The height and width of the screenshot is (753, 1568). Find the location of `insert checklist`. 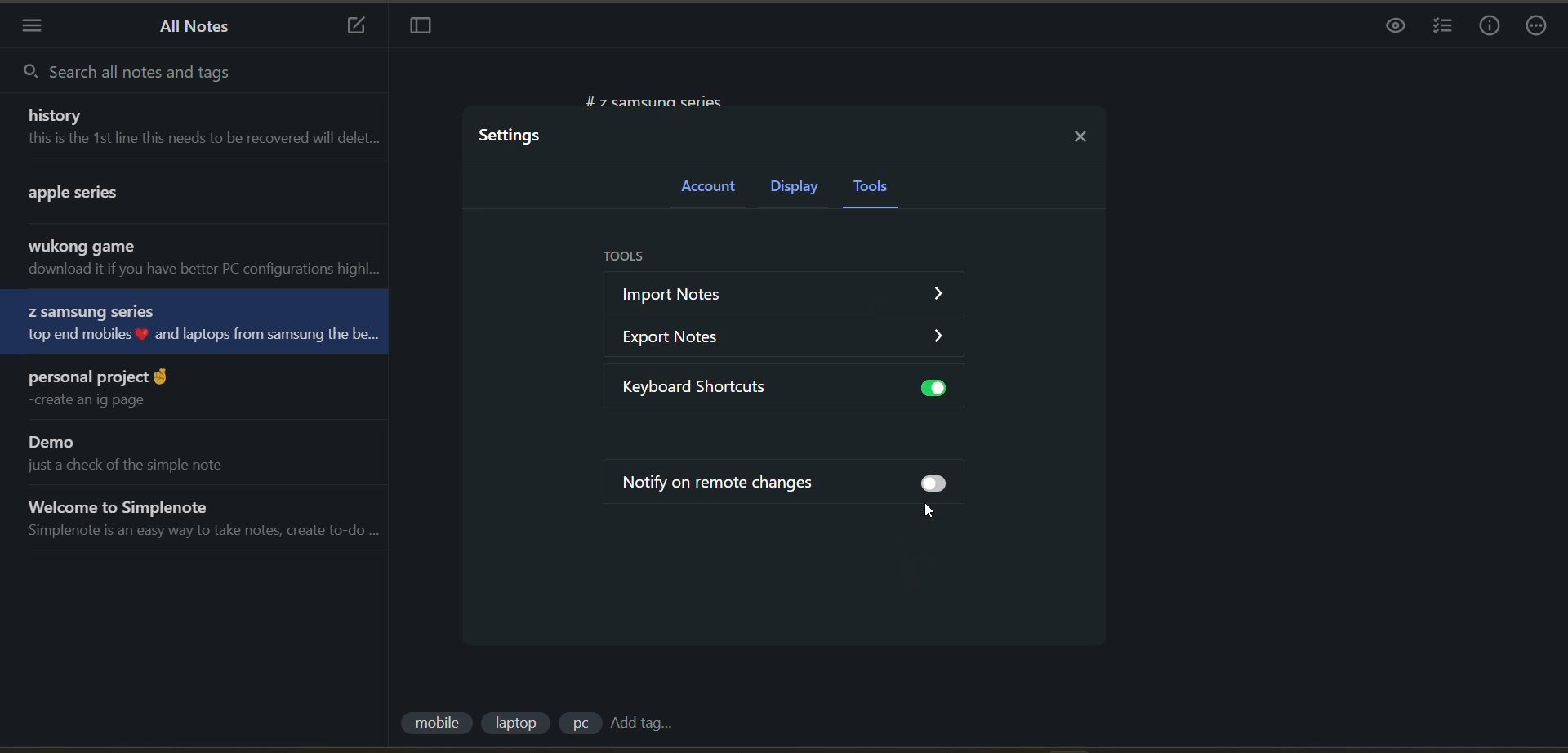

insert checklist is located at coordinates (1445, 28).